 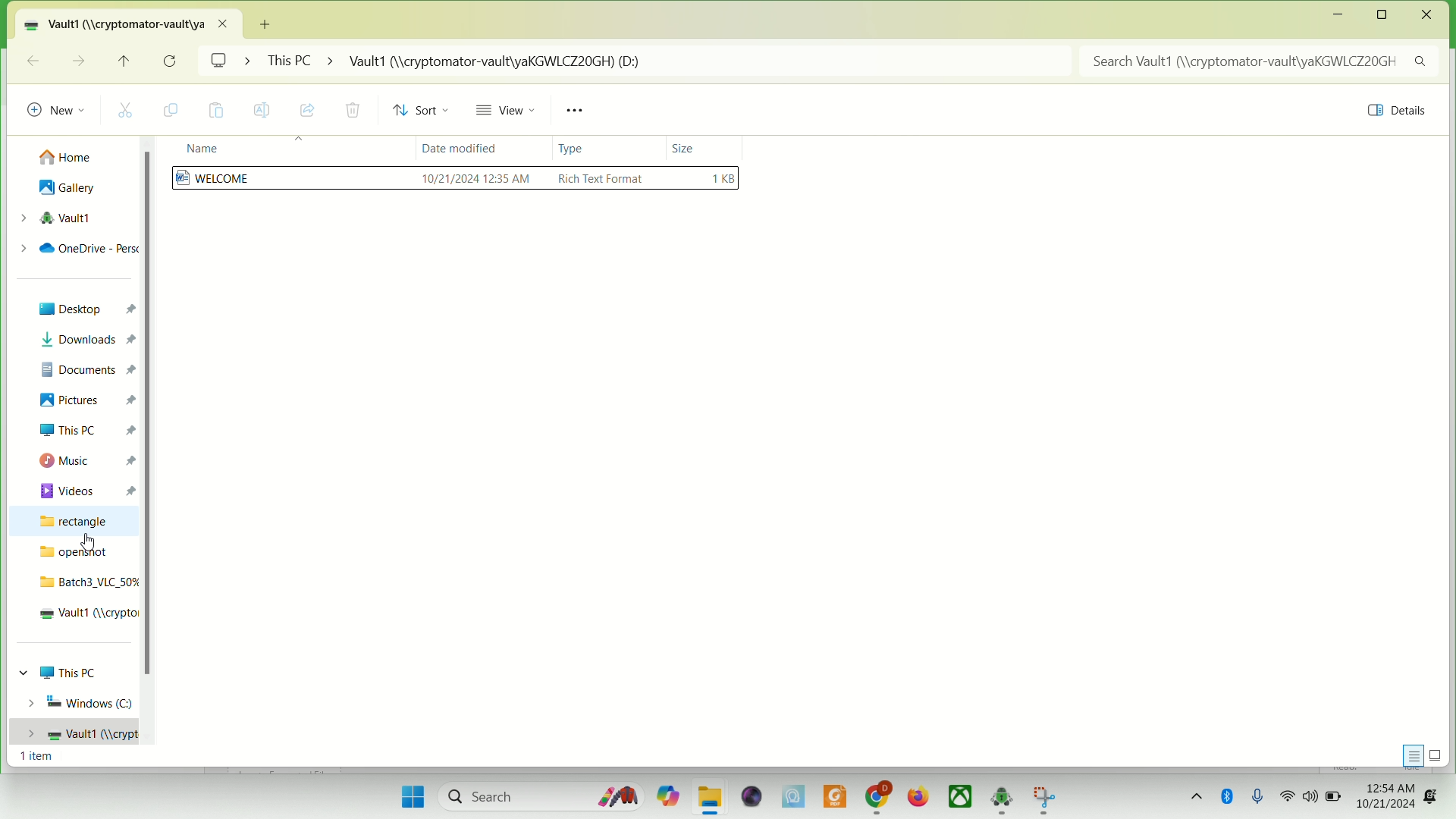 I want to click on app, so click(x=1043, y=799).